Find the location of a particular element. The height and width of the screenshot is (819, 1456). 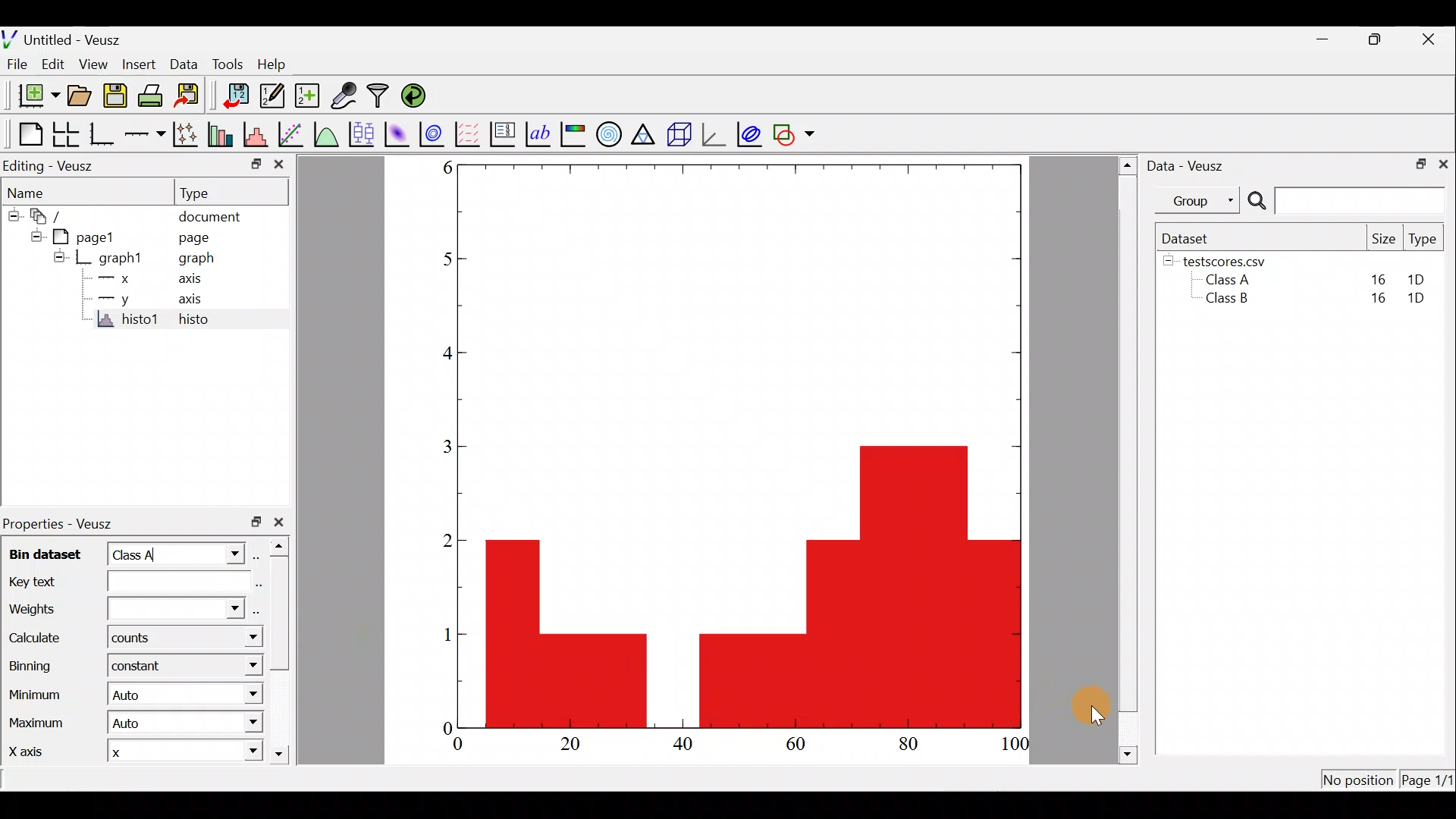

Auto is located at coordinates (143, 725).